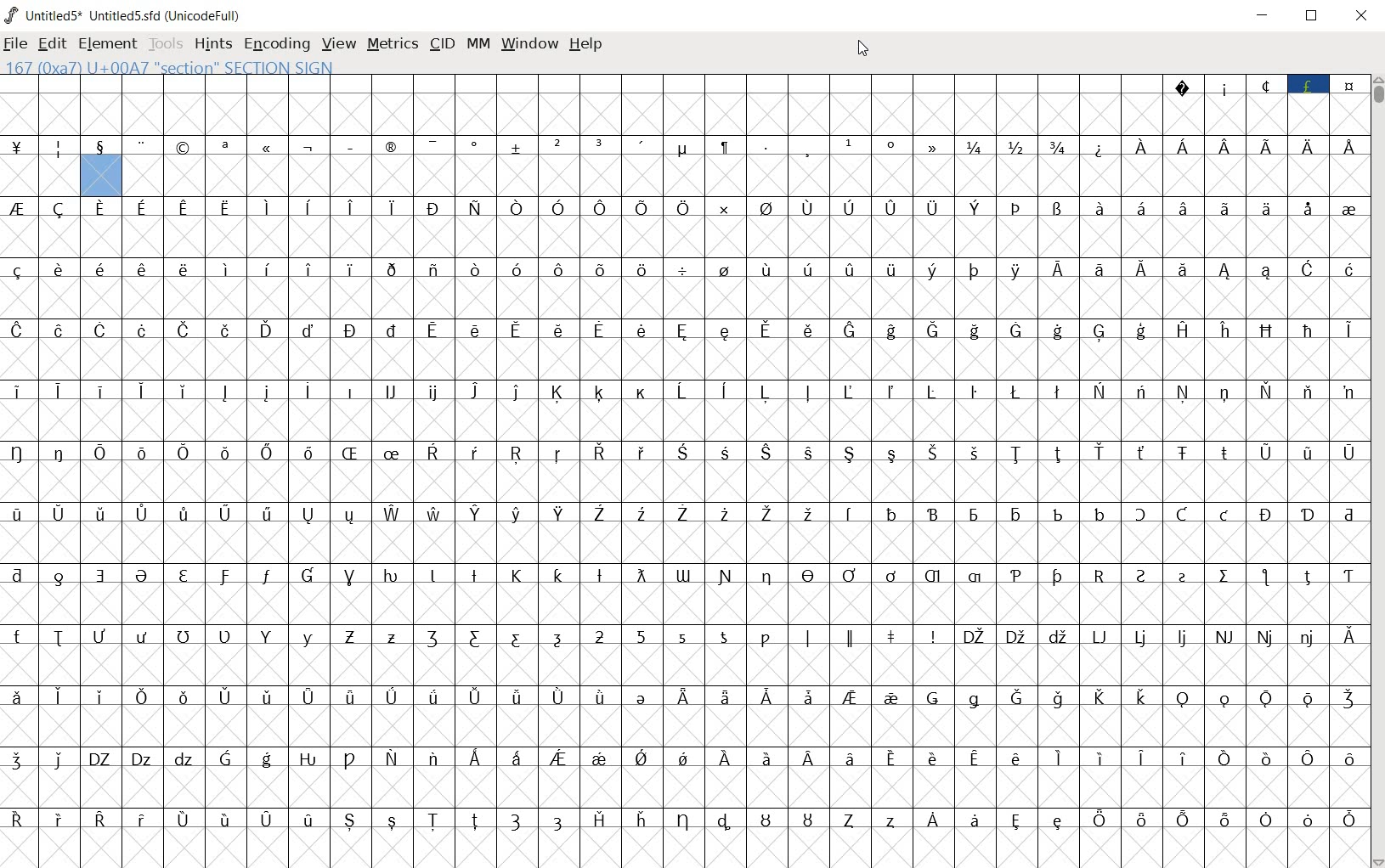  What do you see at coordinates (681, 268) in the screenshot?
I see `special letters` at bounding box center [681, 268].